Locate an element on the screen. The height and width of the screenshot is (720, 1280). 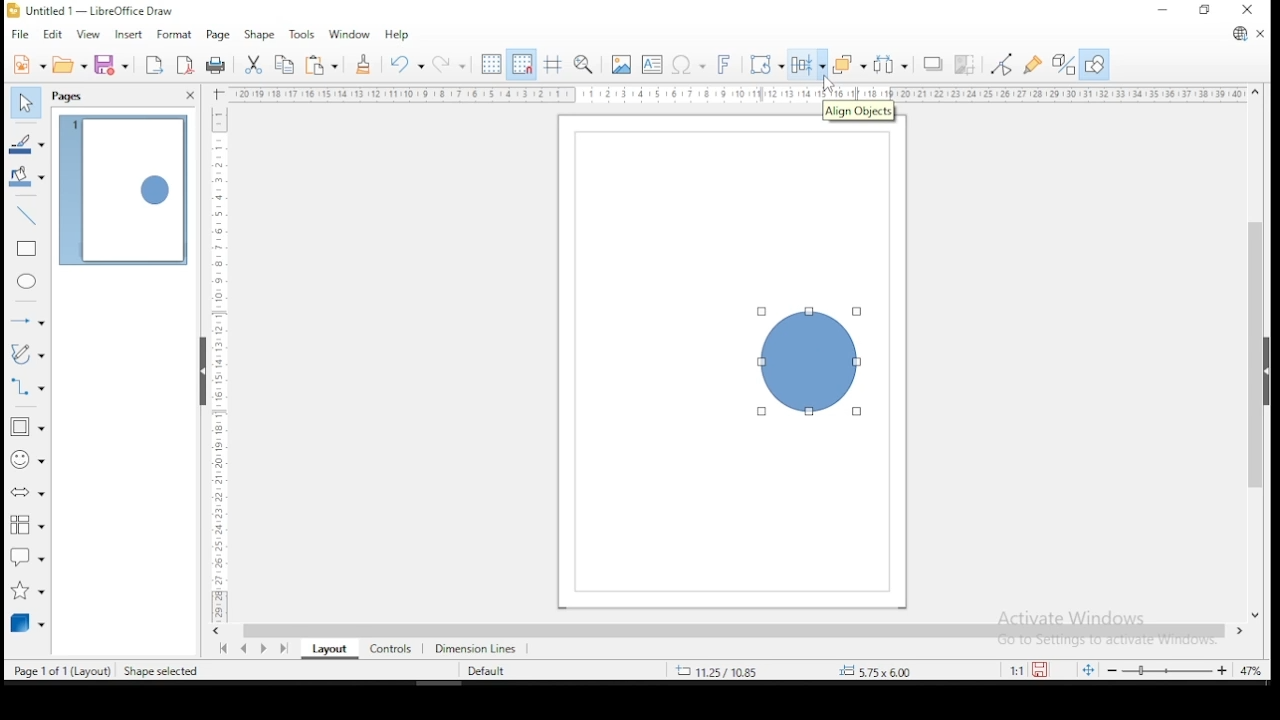
insert image is located at coordinates (620, 65).